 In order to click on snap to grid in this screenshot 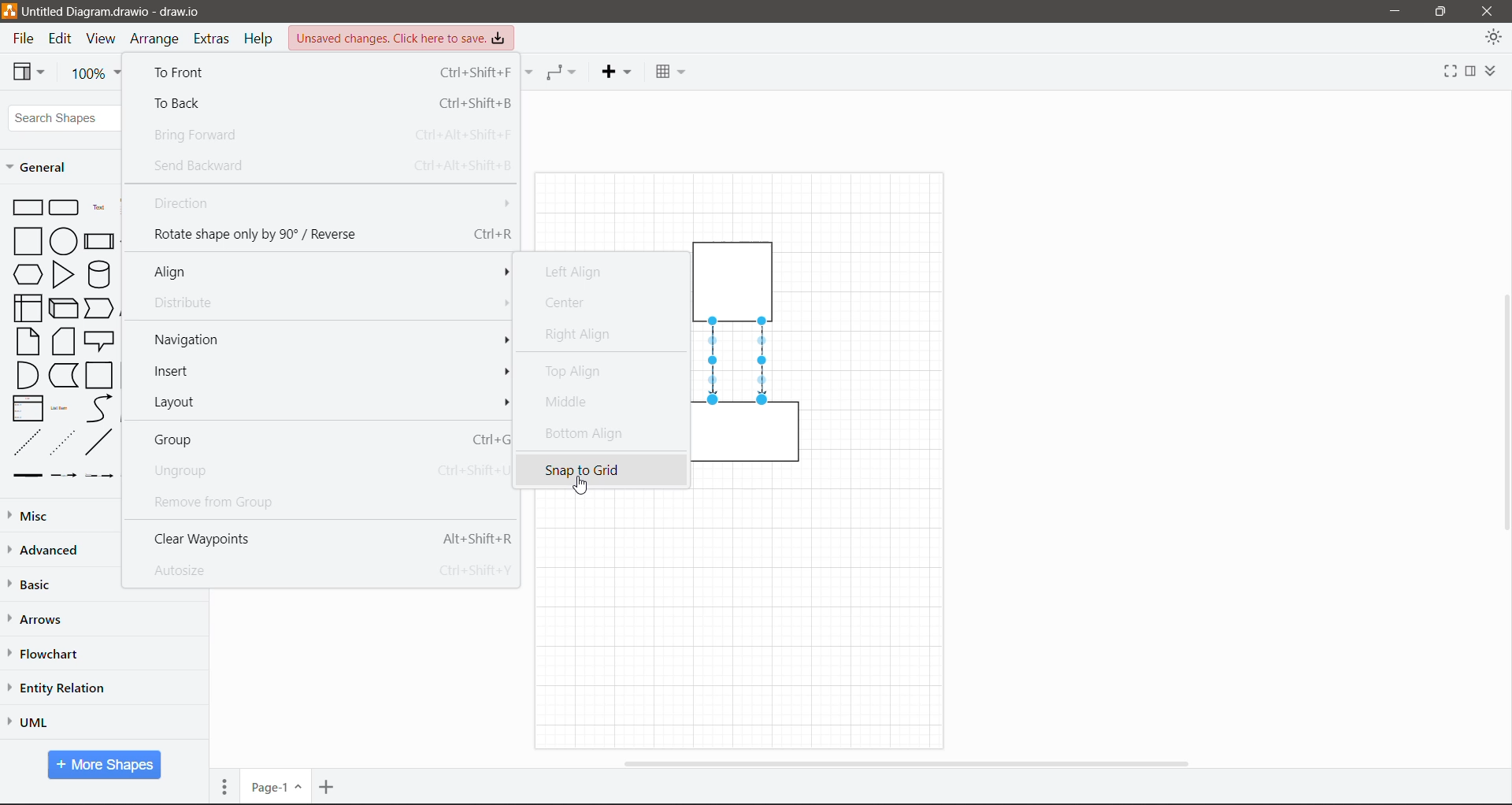, I will do `click(601, 469)`.